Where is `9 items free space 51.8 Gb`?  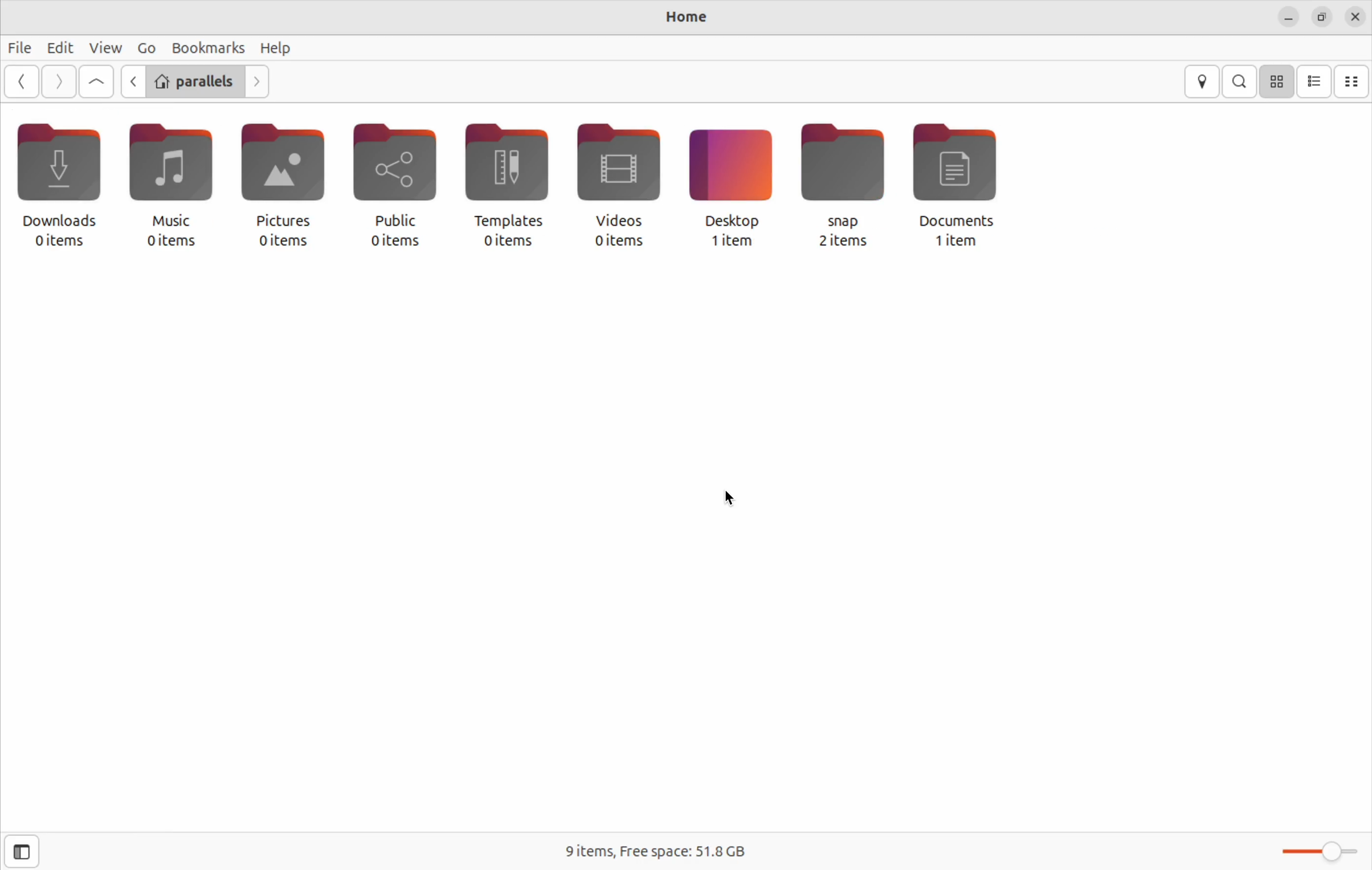 9 items free space 51.8 Gb is located at coordinates (656, 848).